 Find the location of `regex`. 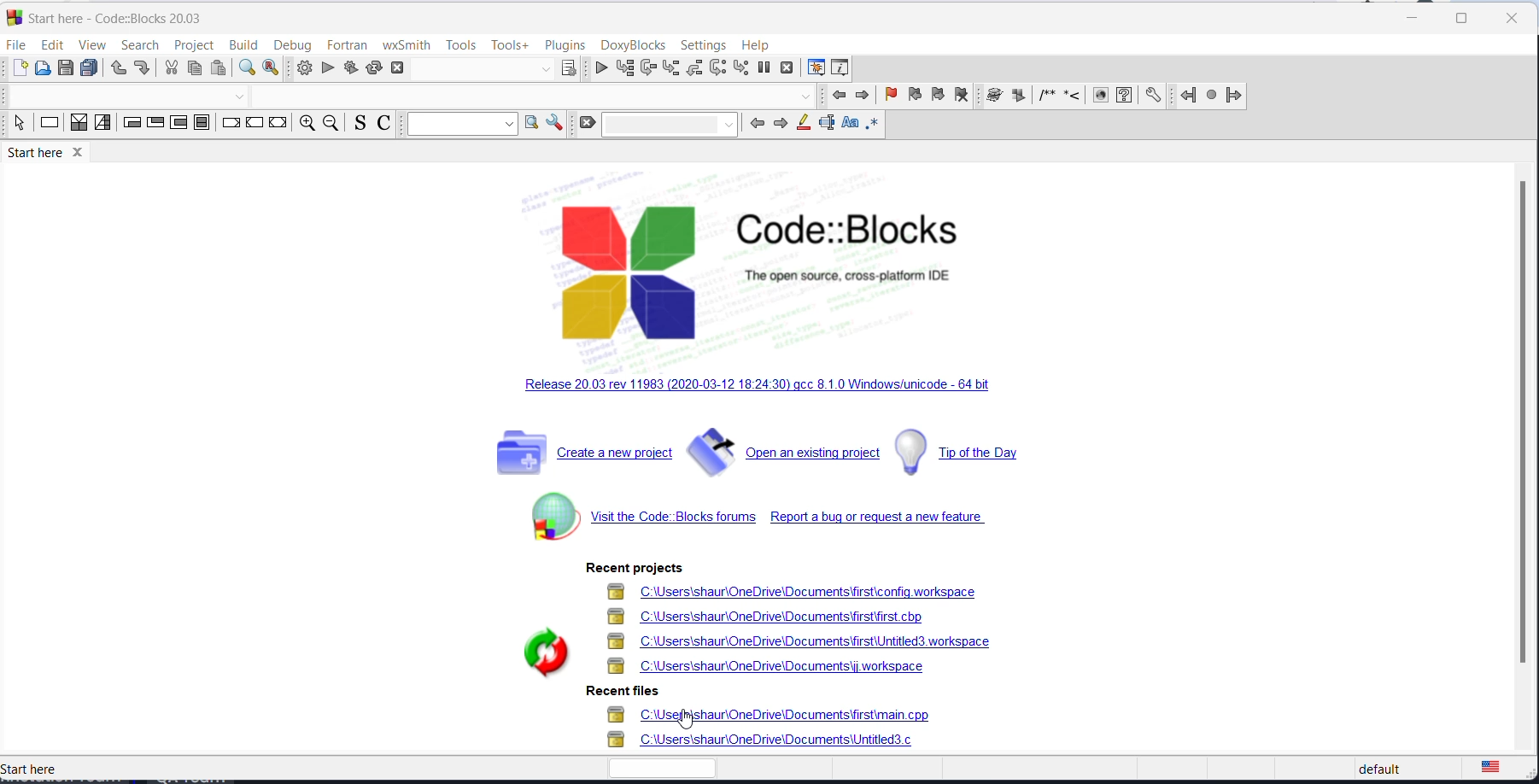

regex is located at coordinates (871, 125).